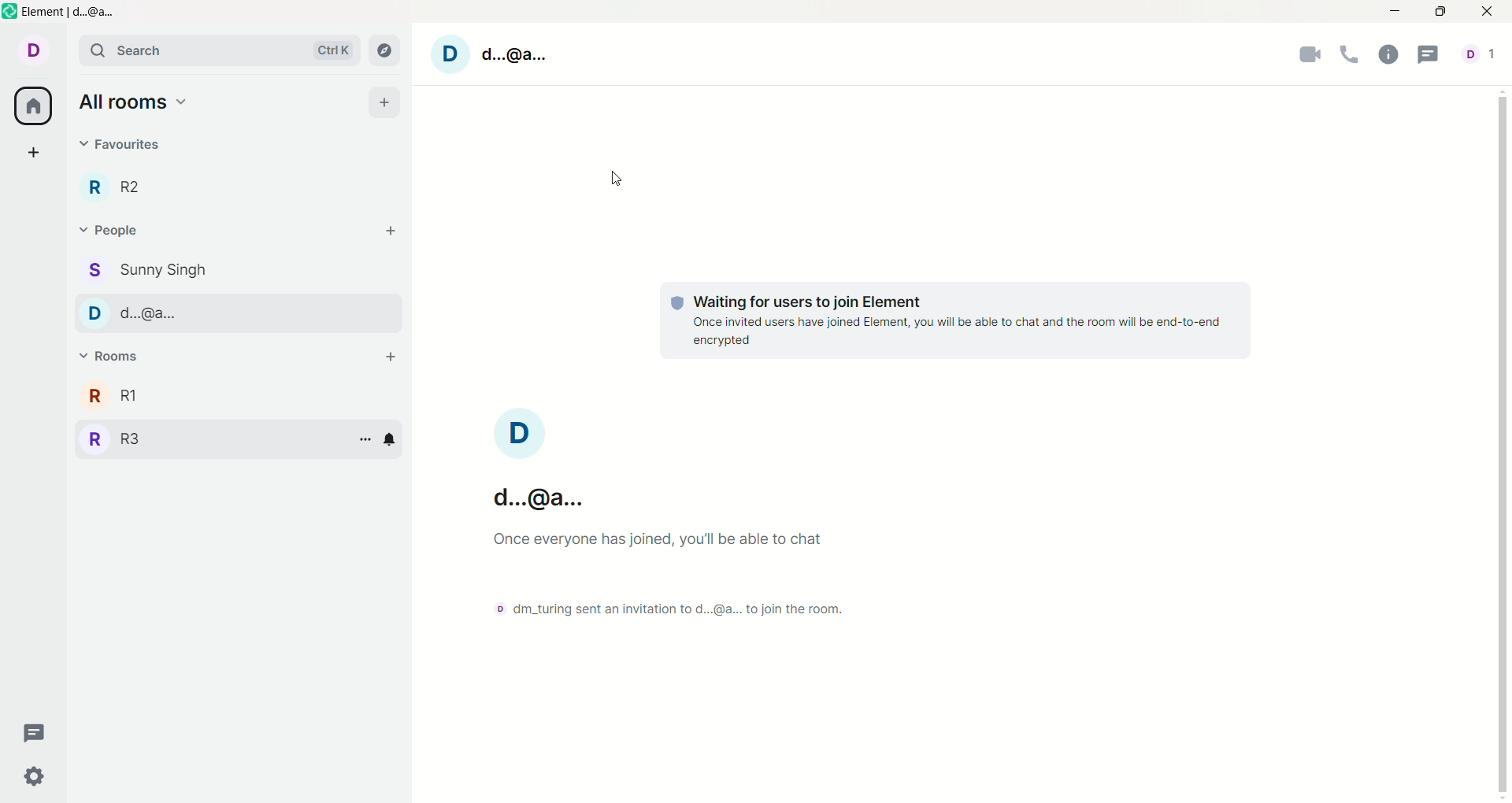 This screenshot has height=803, width=1512. Describe the element at coordinates (495, 54) in the screenshot. I see `account` at that location.